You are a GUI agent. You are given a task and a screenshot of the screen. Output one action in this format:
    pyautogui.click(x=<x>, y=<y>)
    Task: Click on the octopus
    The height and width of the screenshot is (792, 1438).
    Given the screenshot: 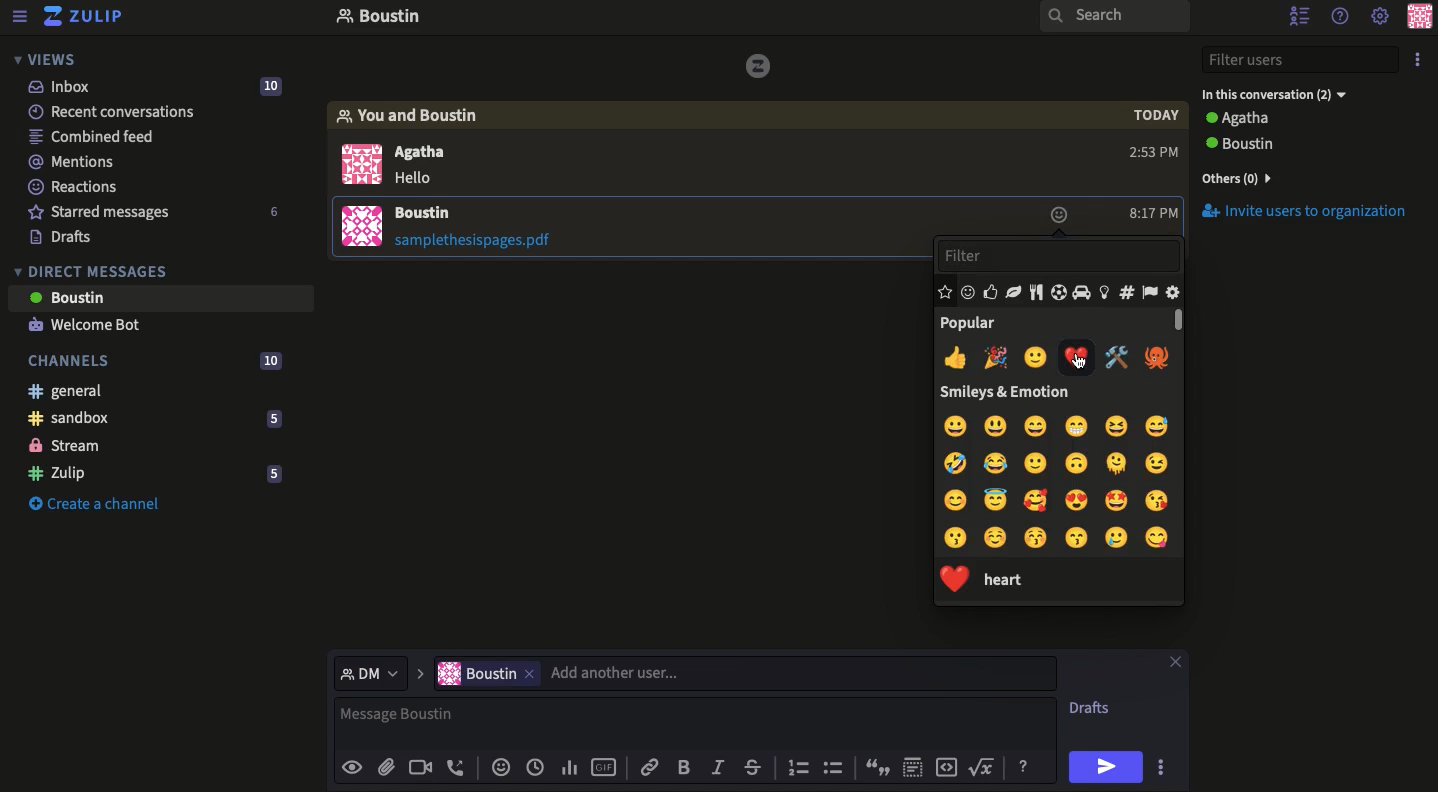 What is the action you would take?
    pyautogui.click(x=1156, y=355)
    